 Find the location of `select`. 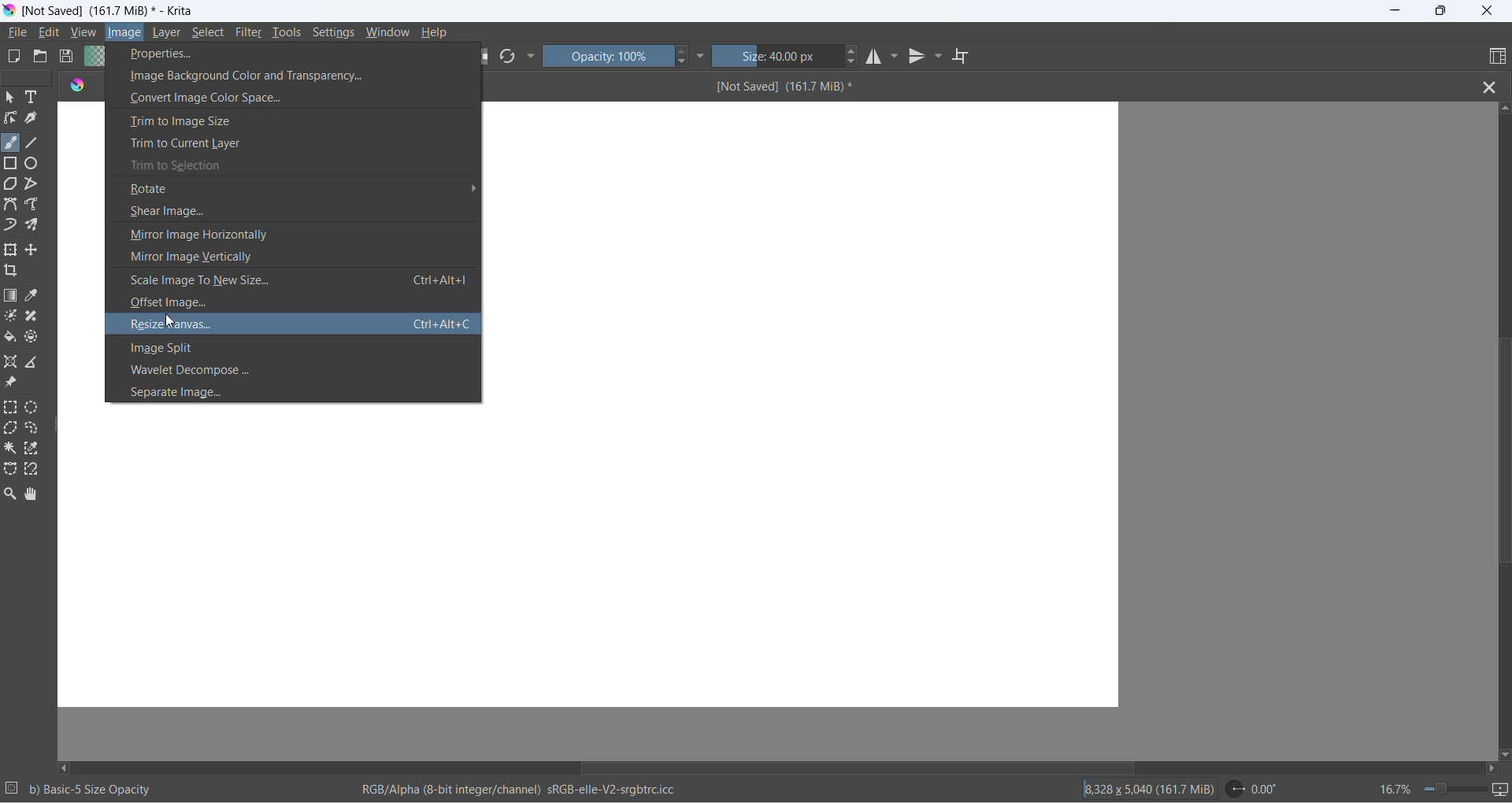

select is located at coordinates (209, 35).